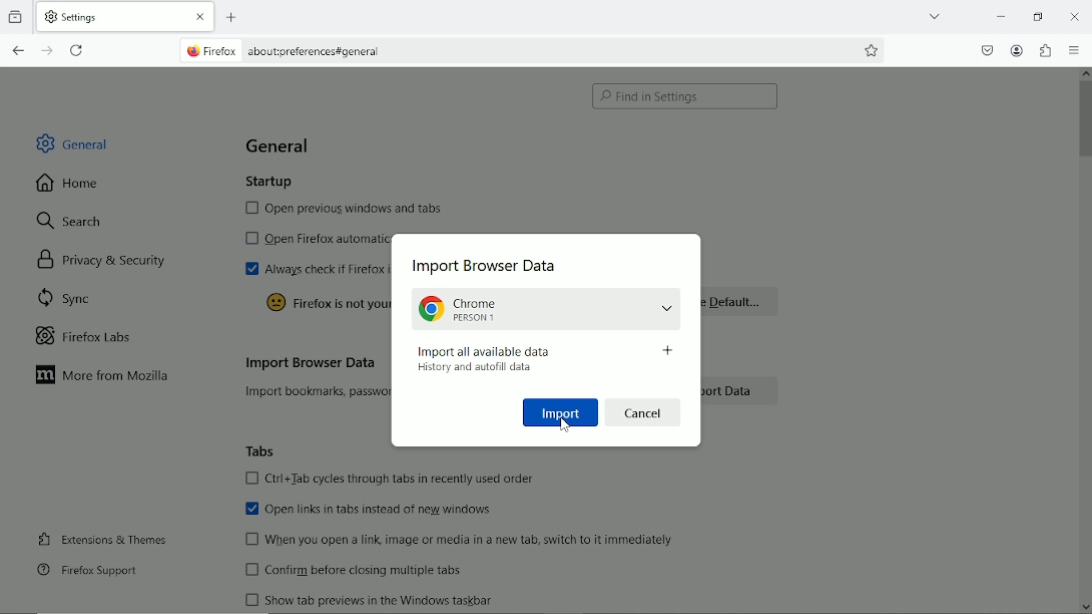 This screenshot has height=614, width=1092. What do you see at coordinates (935, 15) in the screenshot?
I see `List all tabs` at bounding box center [935, 15].